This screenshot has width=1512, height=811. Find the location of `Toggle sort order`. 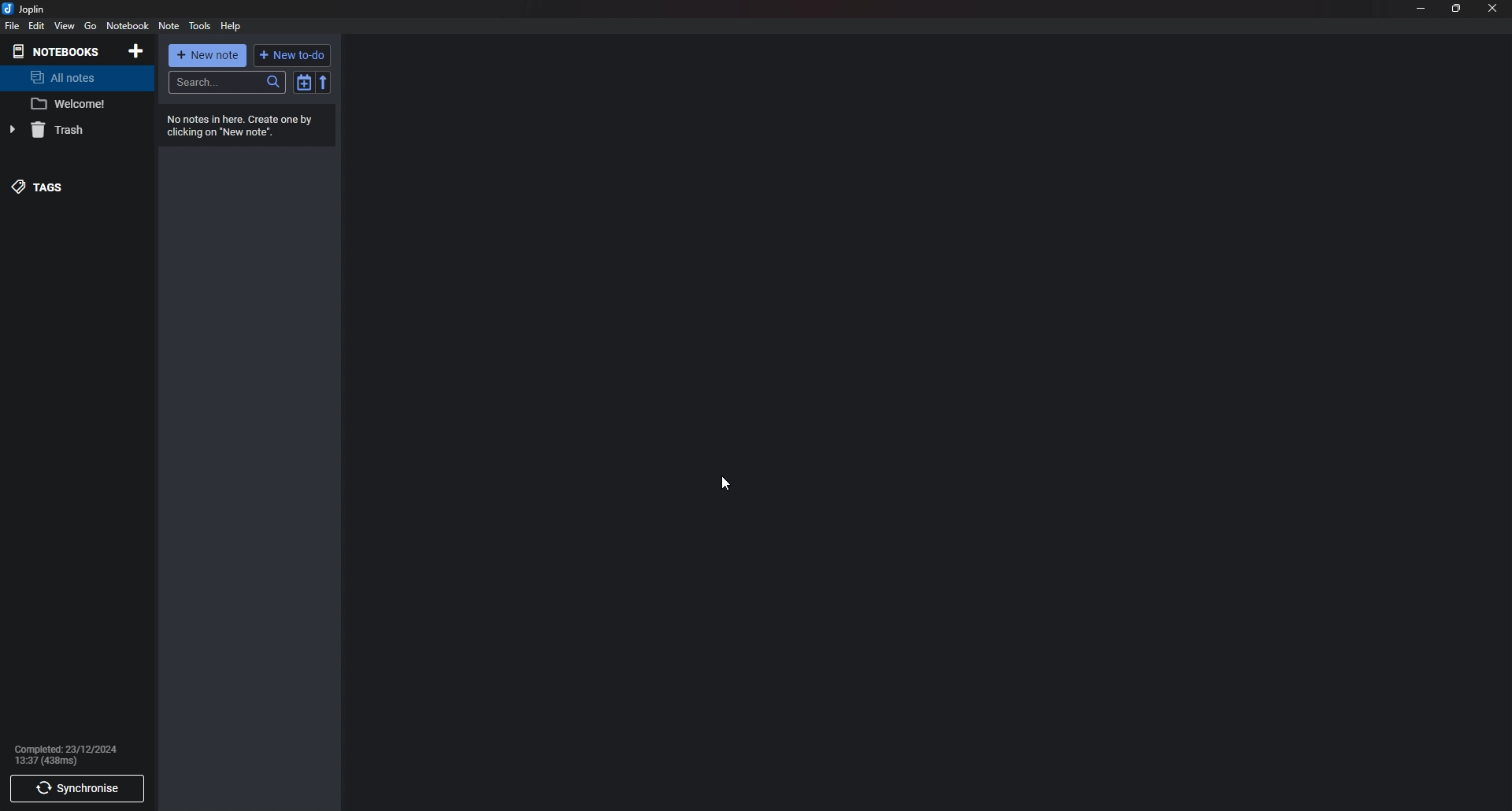

Toggle sort order is located at coordinates (305, 82).